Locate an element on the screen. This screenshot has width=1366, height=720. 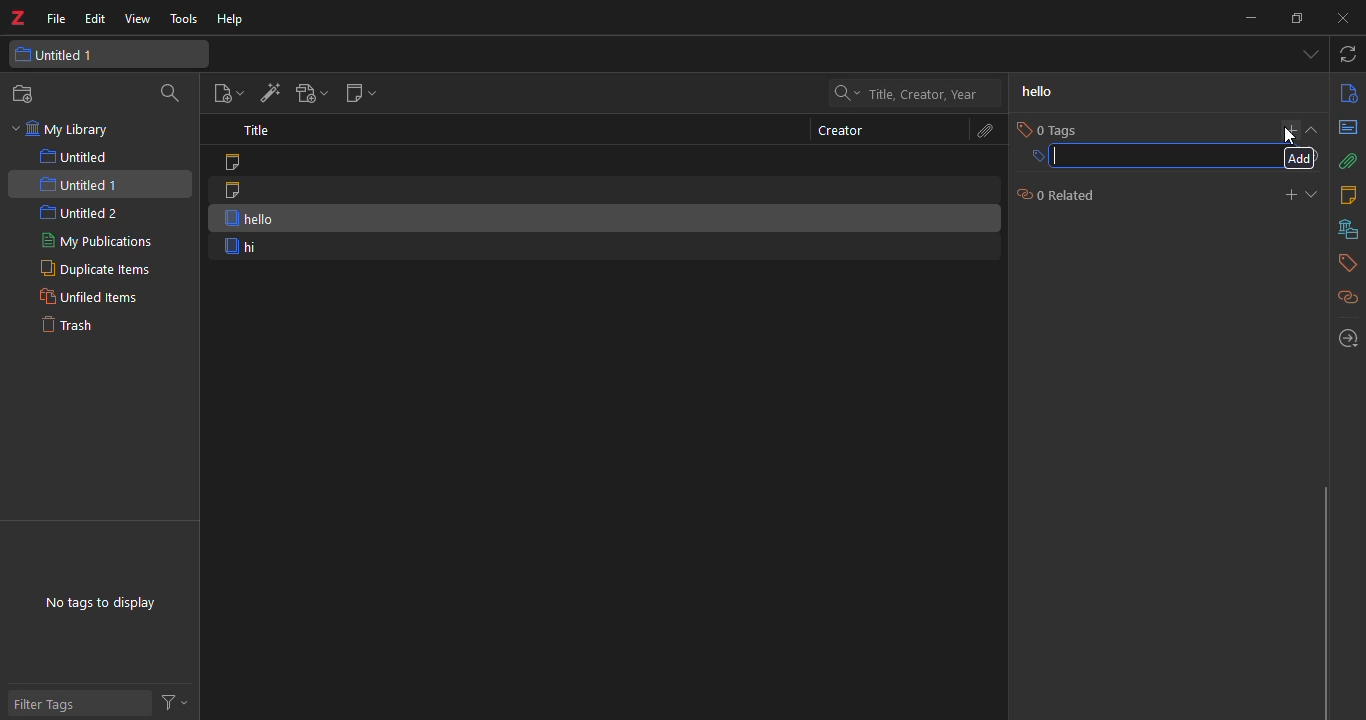
attach is located at coordinates (983, 131).